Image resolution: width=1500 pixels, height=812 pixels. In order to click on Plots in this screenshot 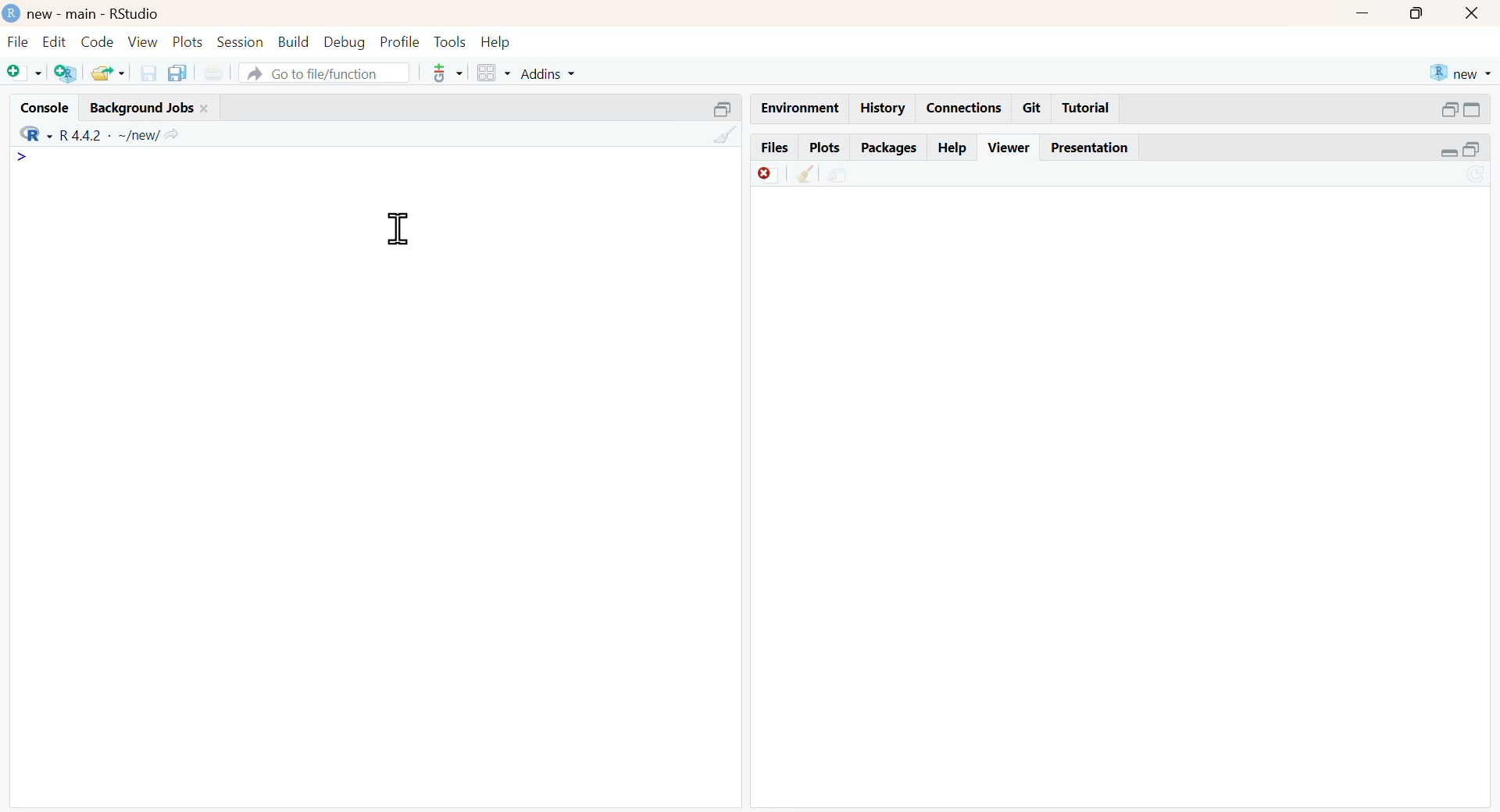, I will do `click(186, 40)`.